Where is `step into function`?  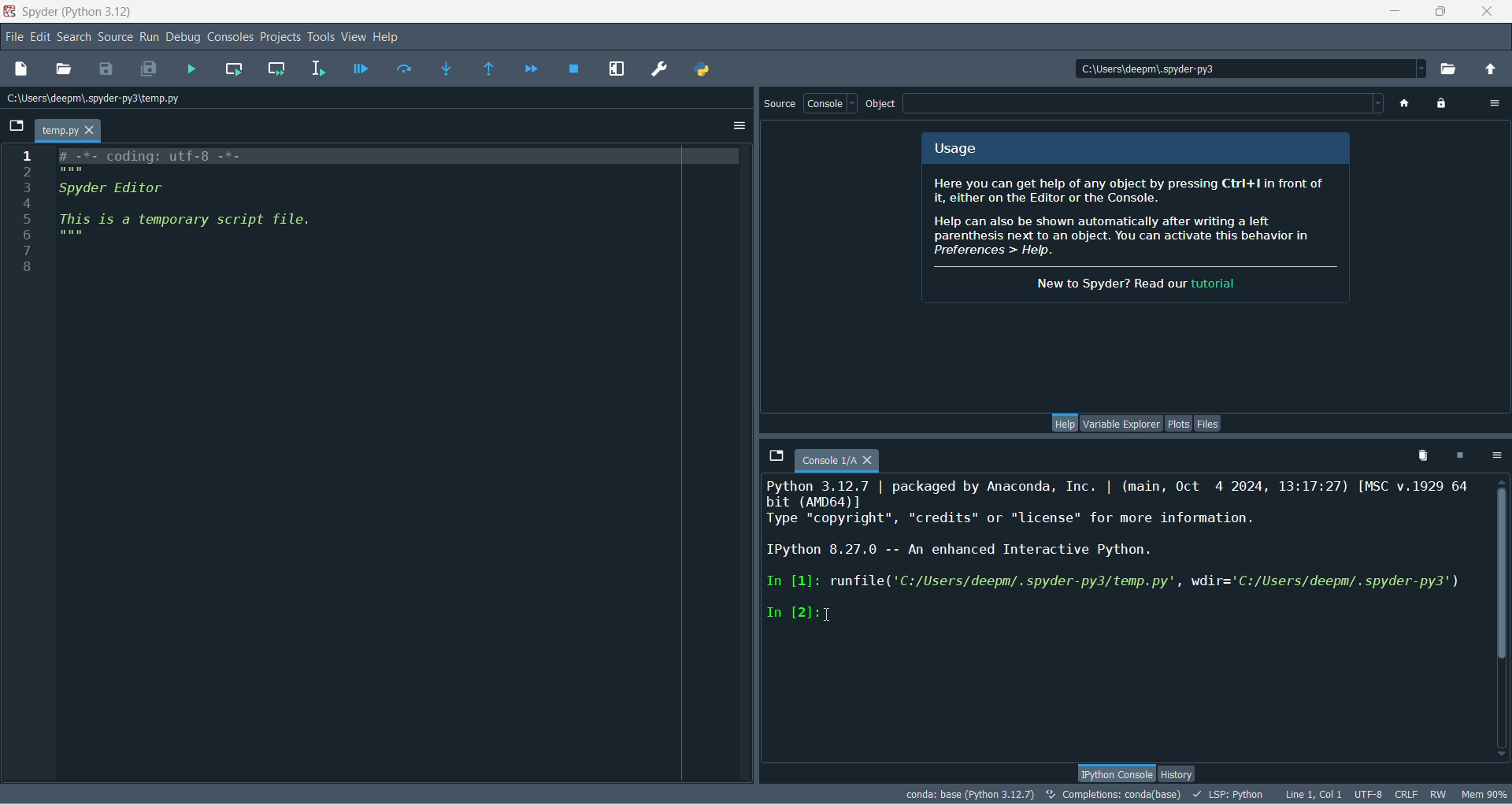 step into function is located at coordinates (447, 69).